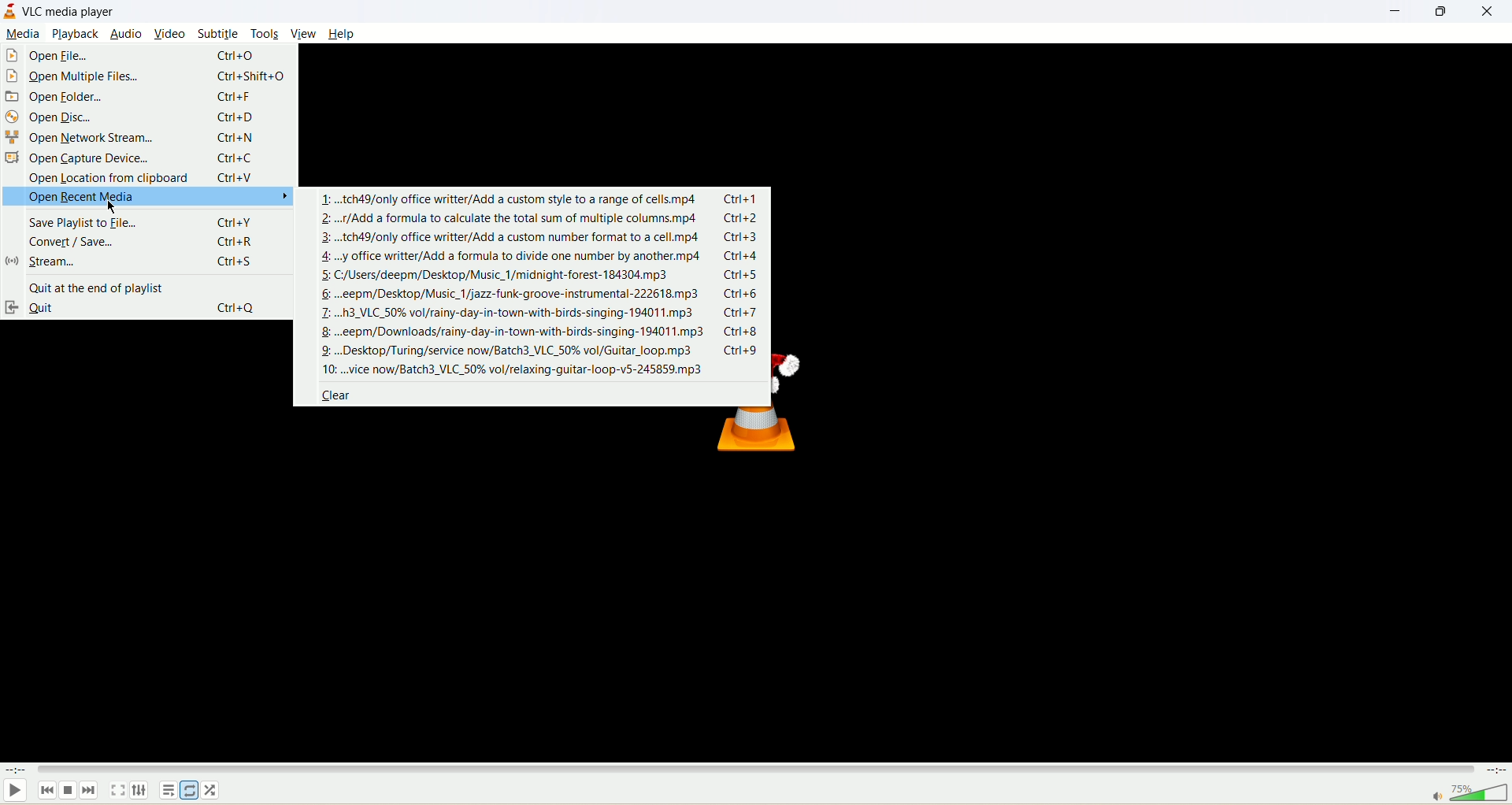  Describe the element at coordinates (540, 393) in the screenshot. I see `clear` at that location.